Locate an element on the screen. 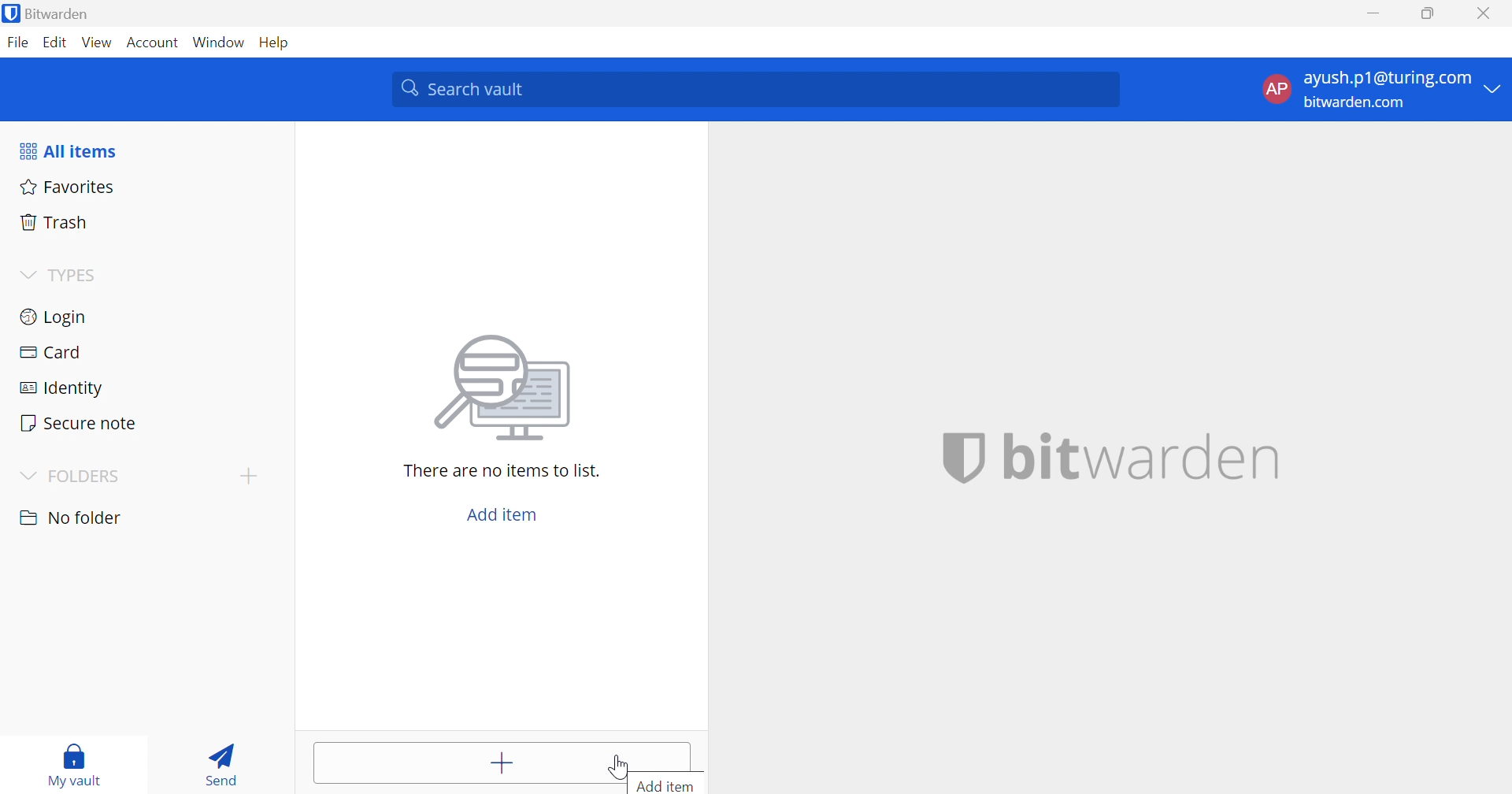 Image resolution: width=1512 pixels, height=794 pixels. bitwarden.com is located at coordinates (1358, 103).